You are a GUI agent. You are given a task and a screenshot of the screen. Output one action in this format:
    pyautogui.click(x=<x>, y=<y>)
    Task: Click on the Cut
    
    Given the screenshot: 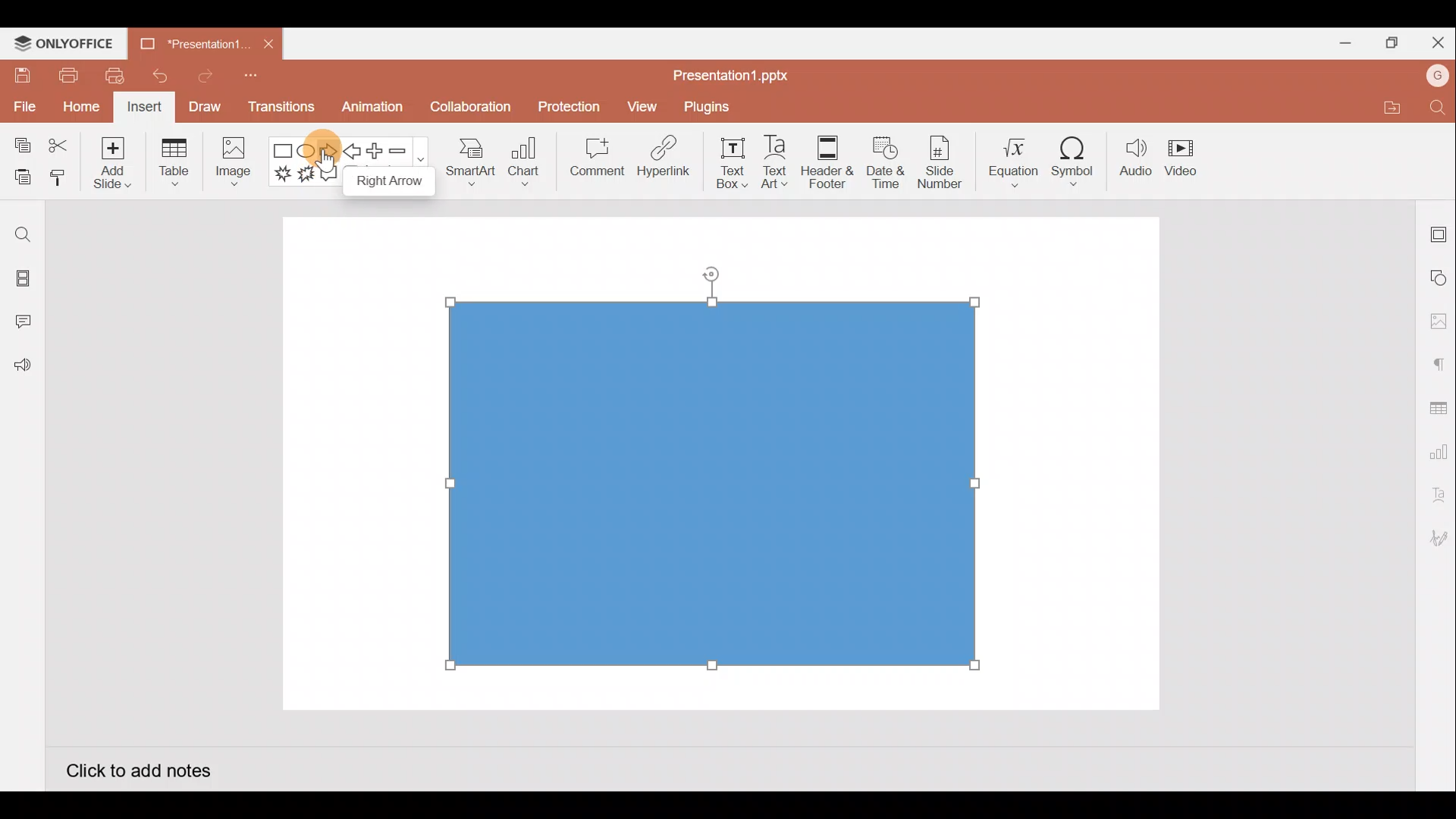 What is the action you would take?
    pyautogui.click(x=59, y=146)
    